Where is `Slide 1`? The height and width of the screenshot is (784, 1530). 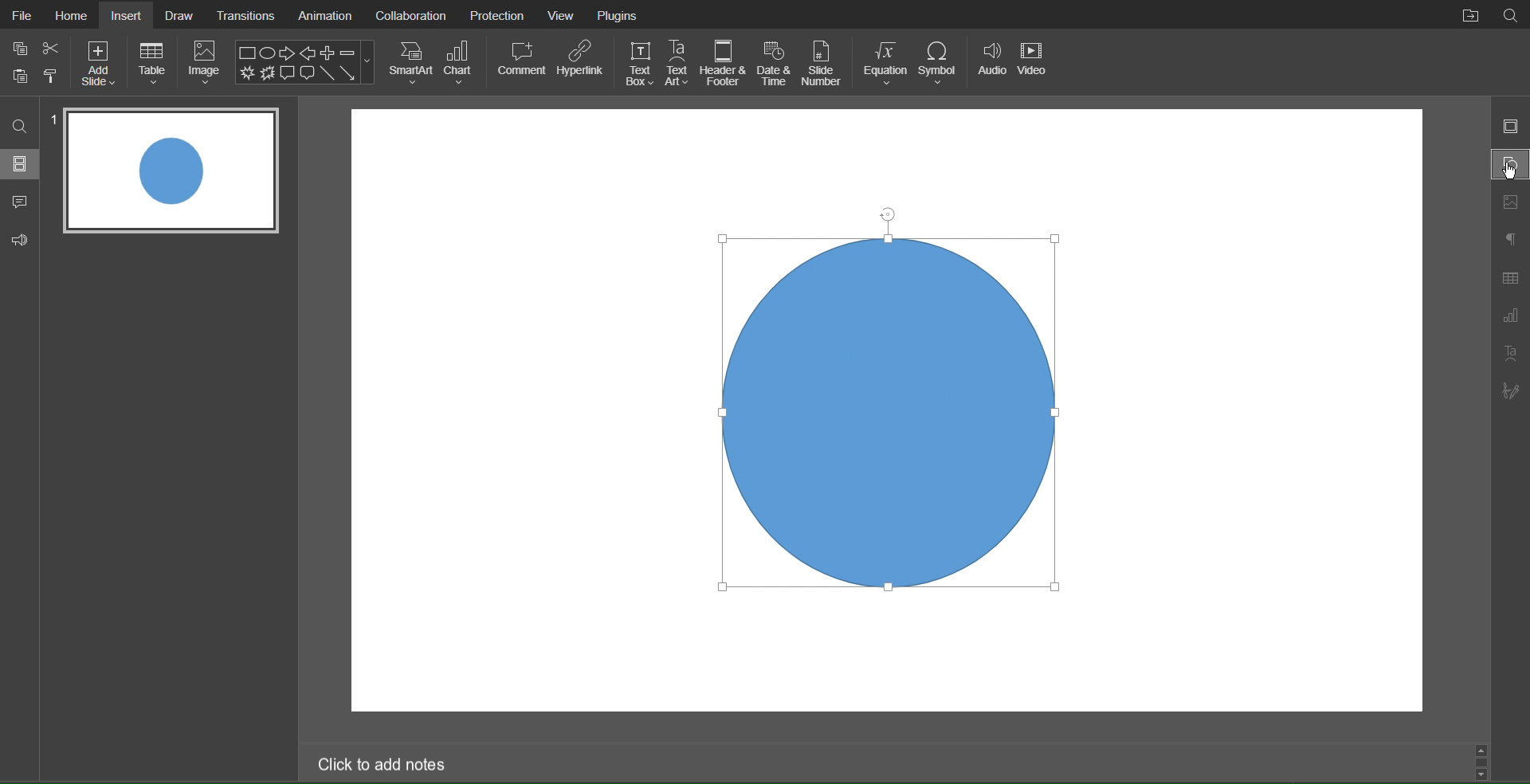
Slide 1 is located at coordinates (169, 172).